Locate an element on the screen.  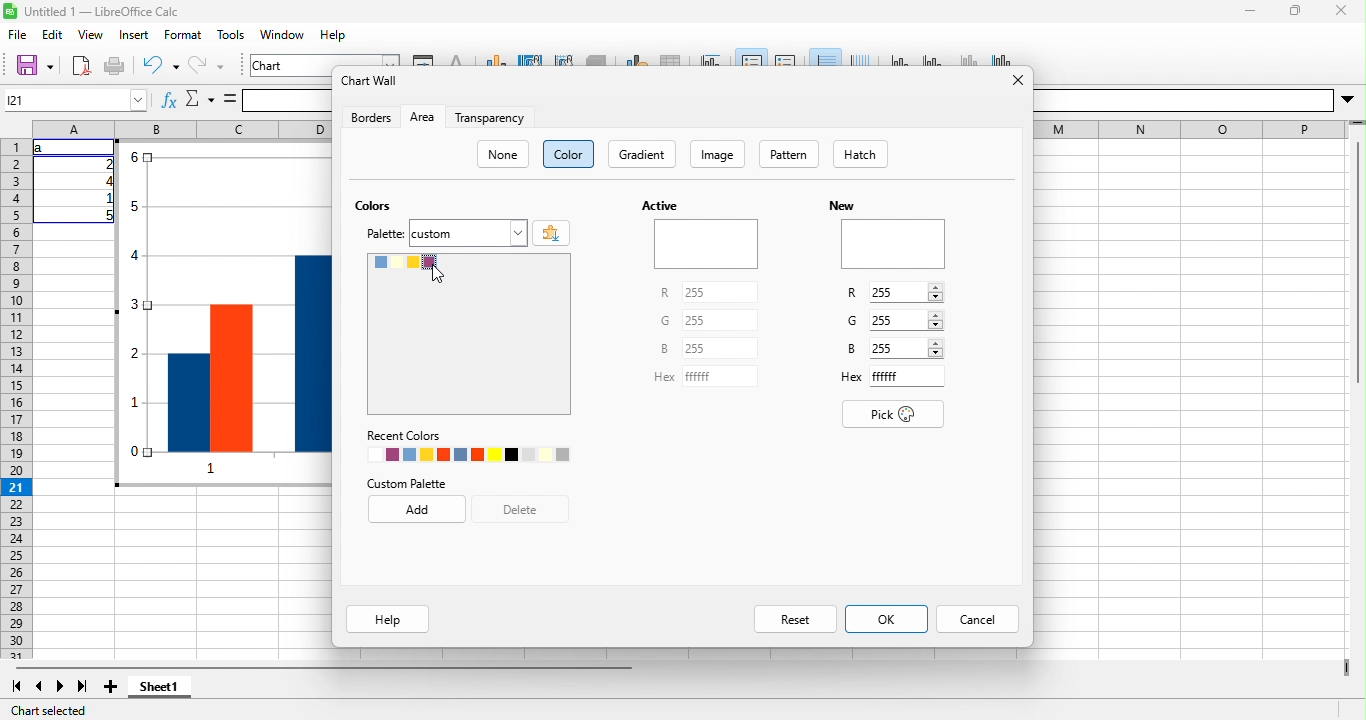
Preview of active is located at coordinates (706, 244).